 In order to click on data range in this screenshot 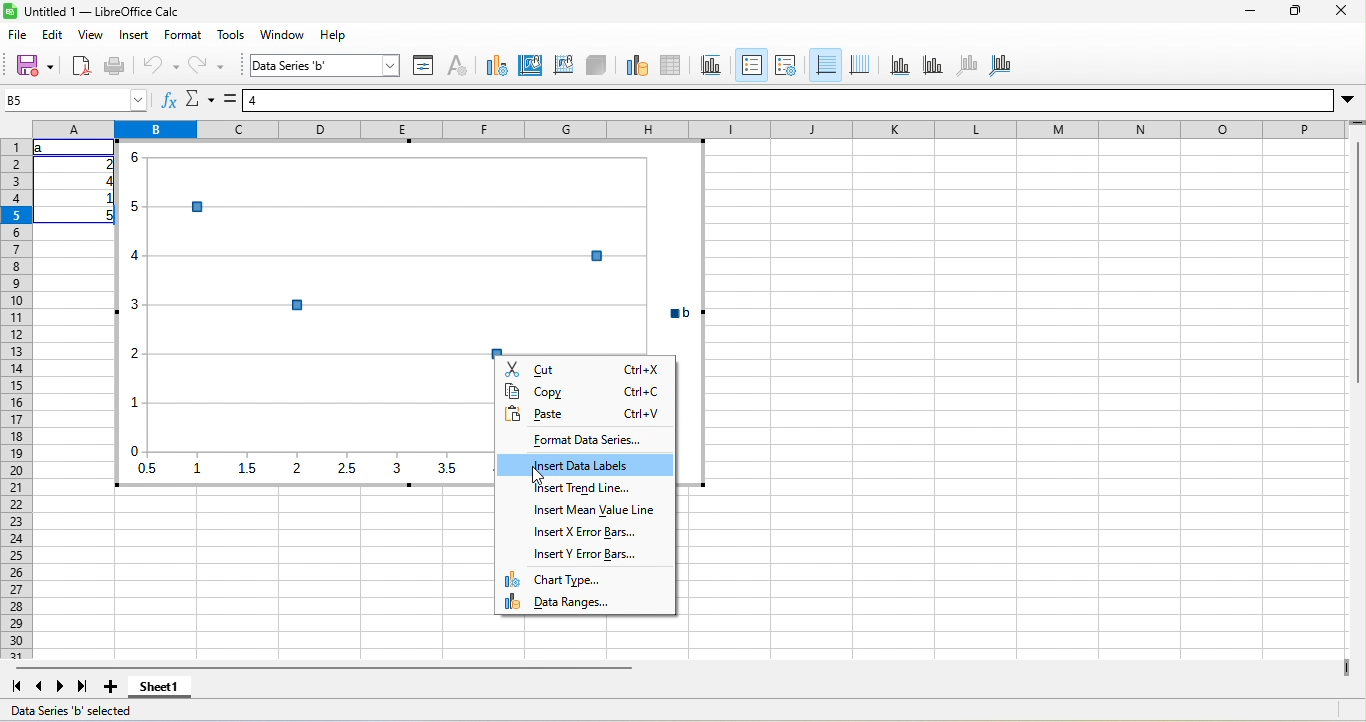, I will do `click(638, 67)`.